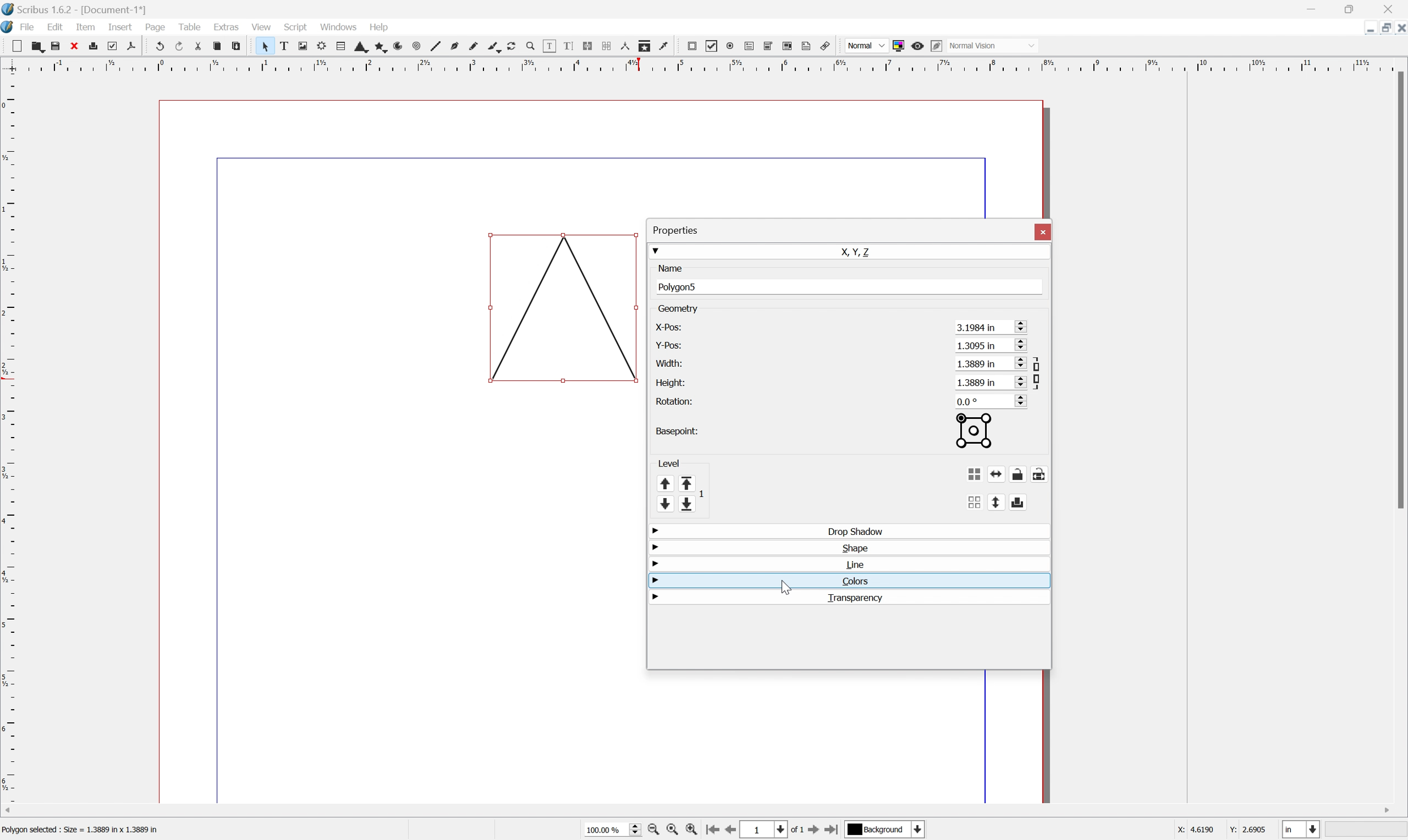  Describe the element at coordinates (1384, 811) in the screenshot. I see `Scroll Right` at that location.